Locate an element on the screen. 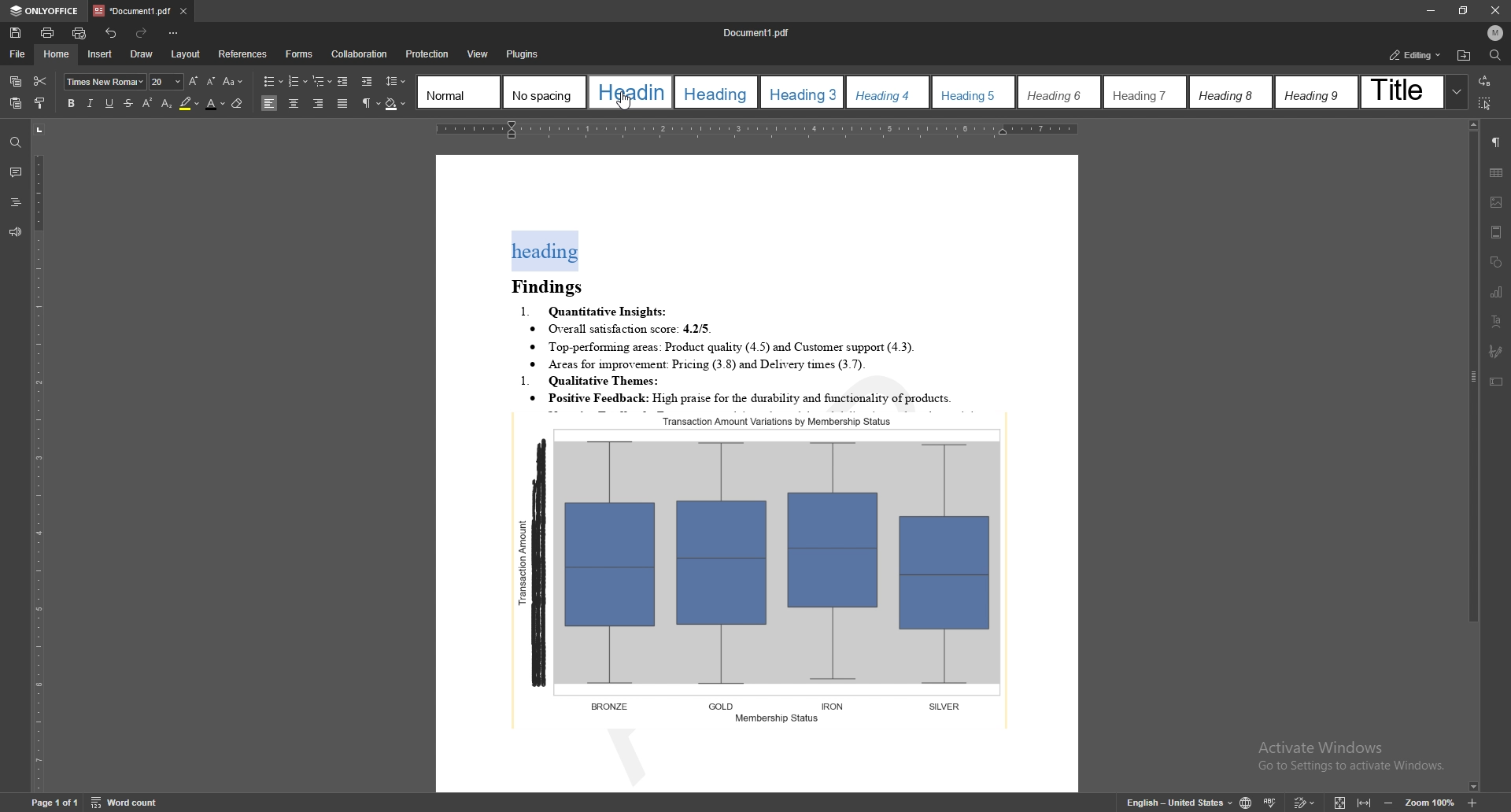  font size is located at coordinates (167, 82).